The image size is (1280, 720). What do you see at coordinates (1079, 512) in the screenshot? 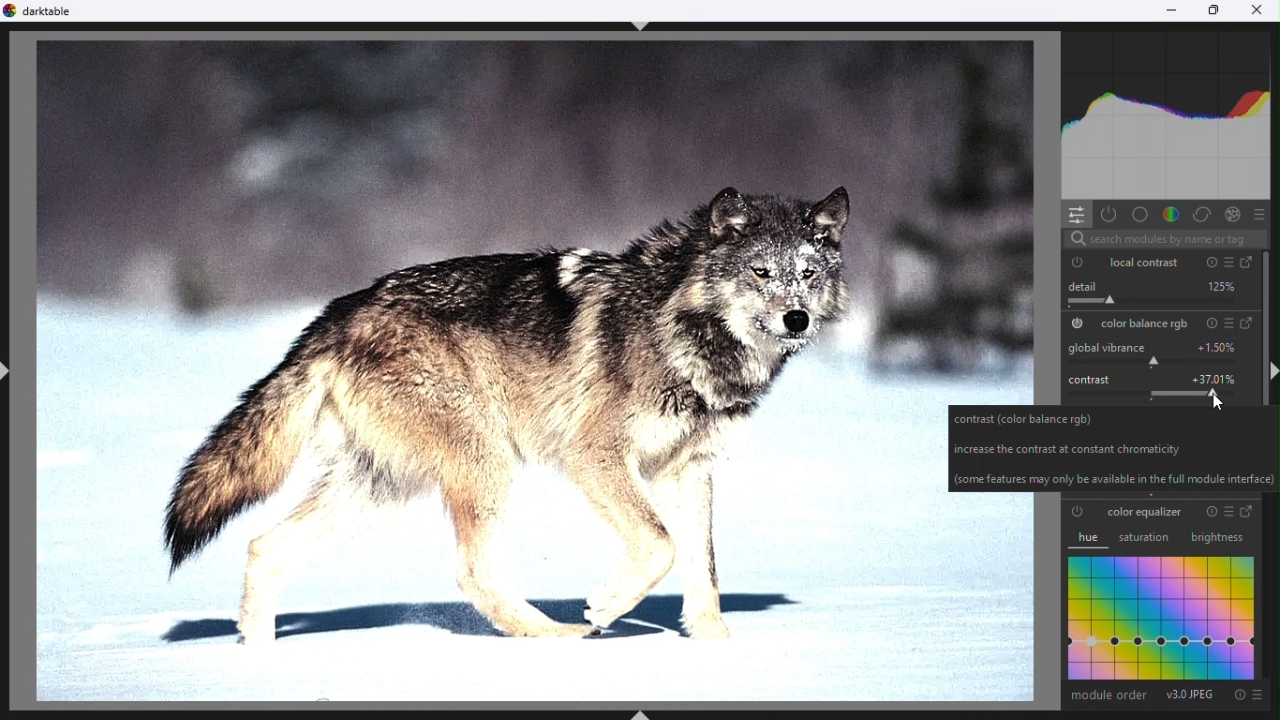
I see `color equalizer is switched off` at bounding box center [1079, 512].